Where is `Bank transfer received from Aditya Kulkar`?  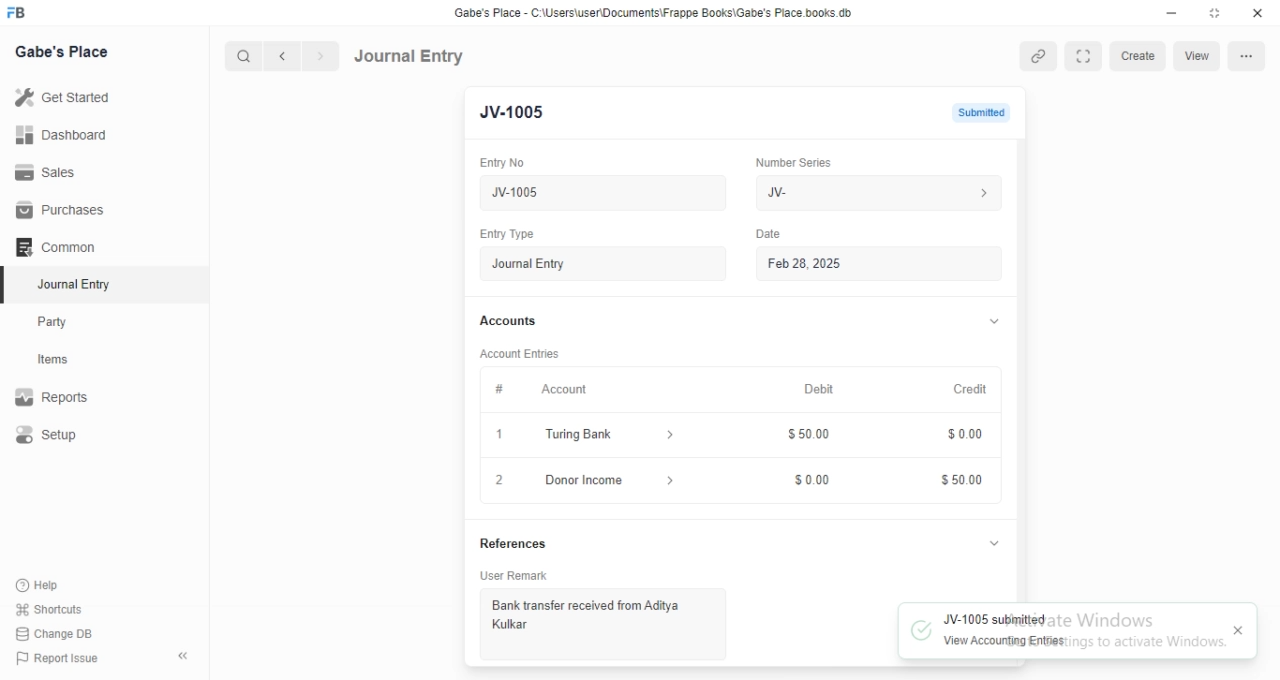
Bank transfer received from Aditya Kulkar is located at coordinates (598, 627).